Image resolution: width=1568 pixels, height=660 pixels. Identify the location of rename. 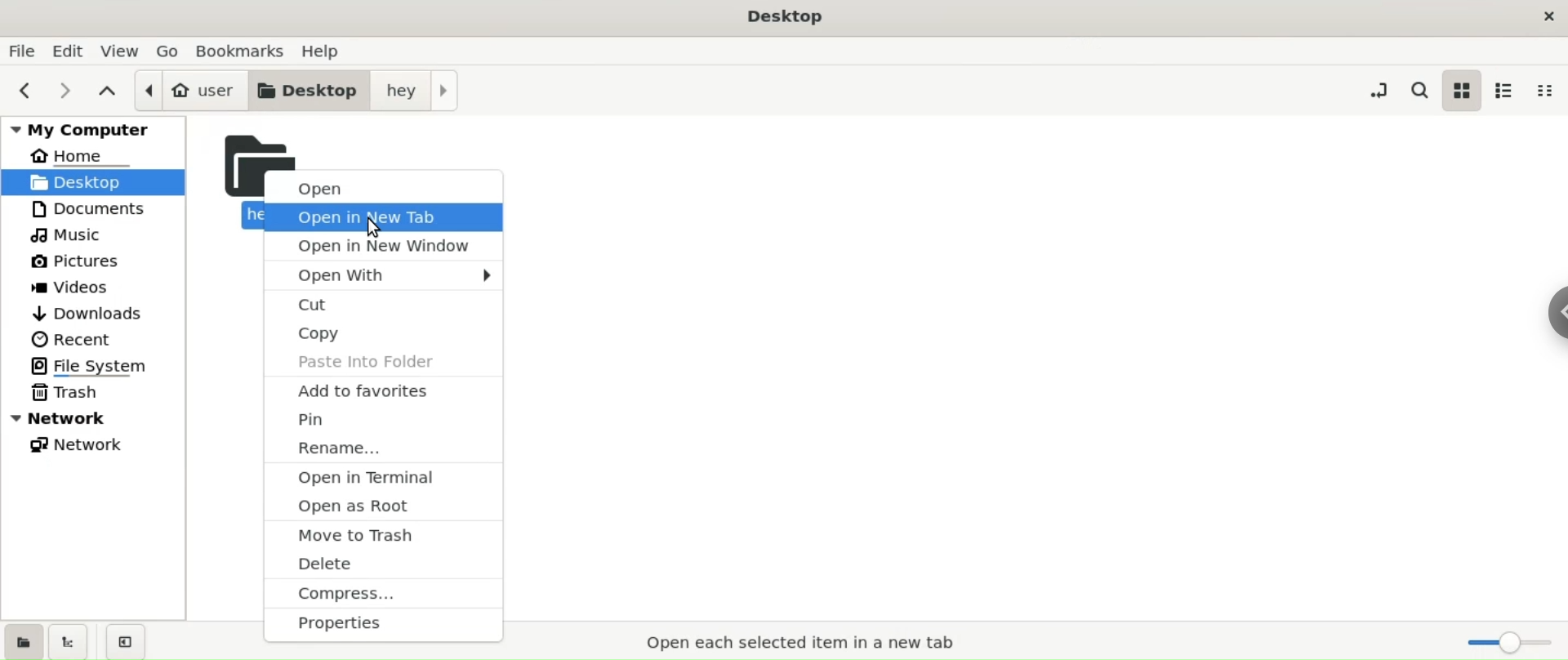
(383, 449).